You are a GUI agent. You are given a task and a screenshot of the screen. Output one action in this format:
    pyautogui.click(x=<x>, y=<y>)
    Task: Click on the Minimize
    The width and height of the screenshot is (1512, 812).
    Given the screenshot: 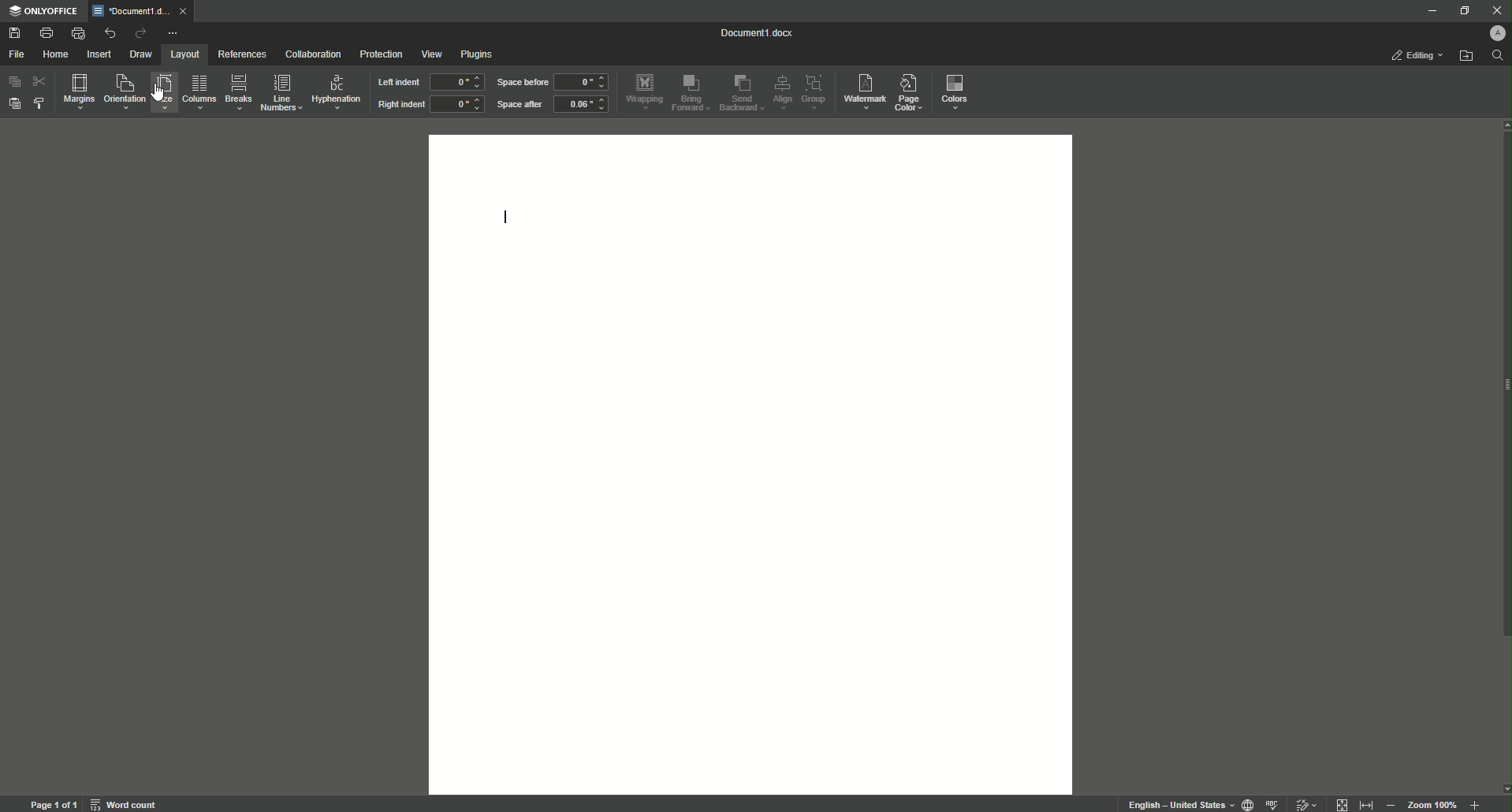 What is the action you would take?
    pyautogui.click(x=1429, y=12)
    